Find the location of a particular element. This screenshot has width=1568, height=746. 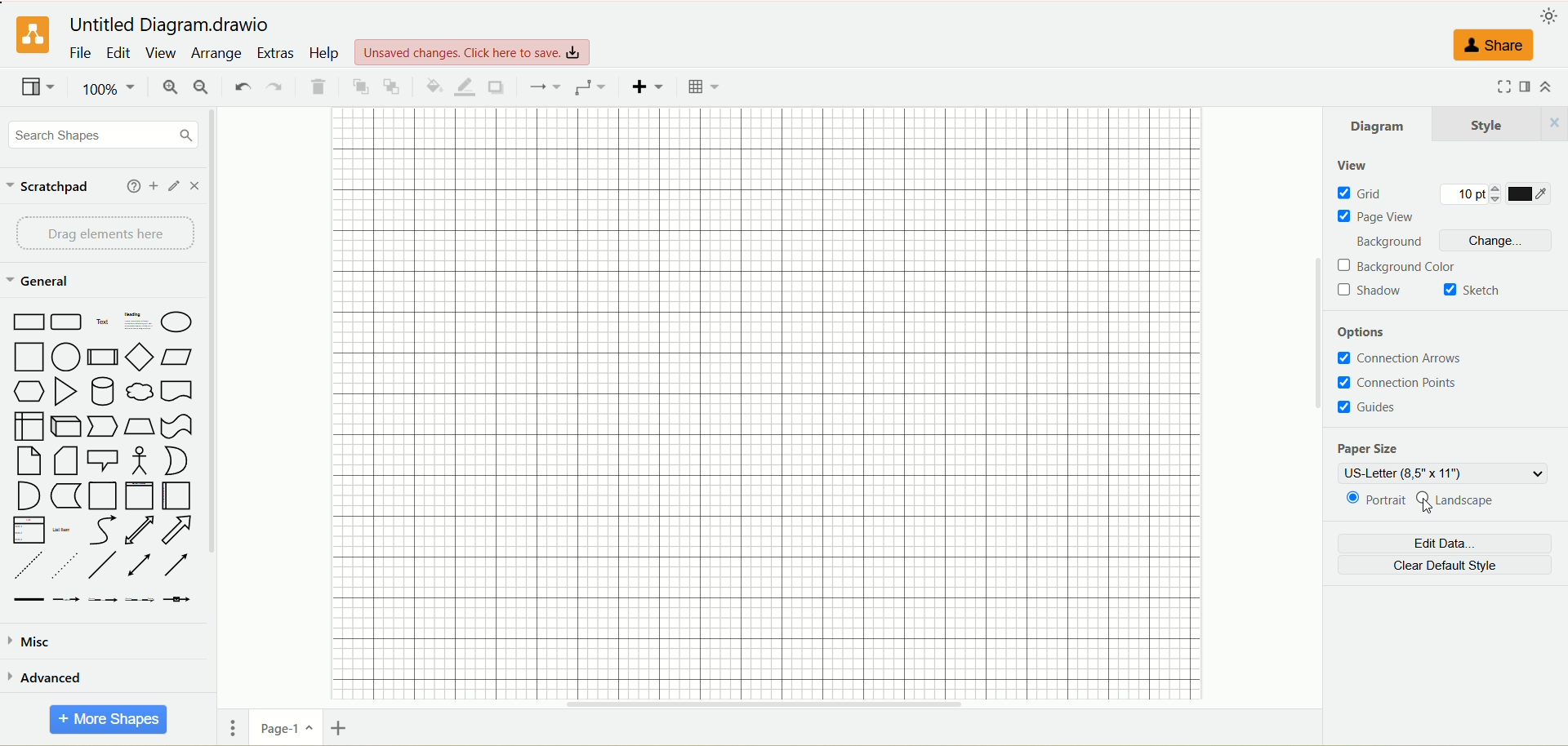

sketch is located at coordinates (1476, 291).